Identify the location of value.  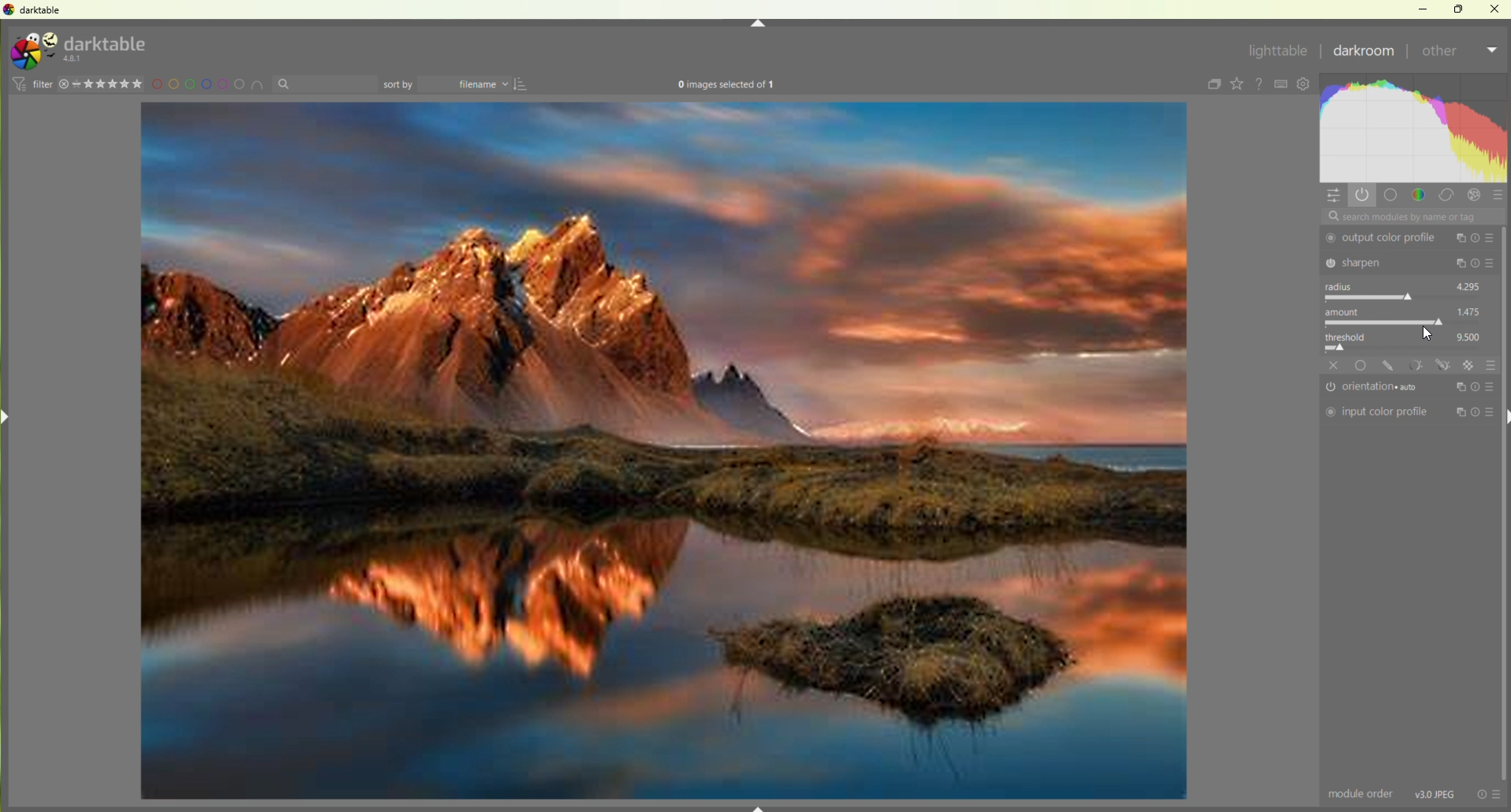
(1470, 311).